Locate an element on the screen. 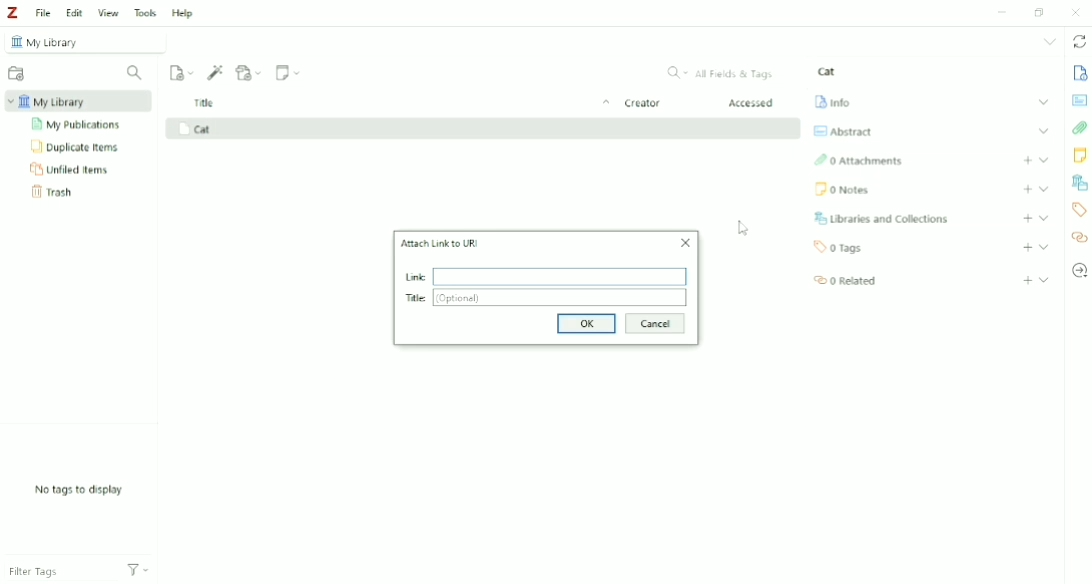 Image resolution: width=1092 pixels, height=584 pixels. Title is located at coordinates (416, 299).